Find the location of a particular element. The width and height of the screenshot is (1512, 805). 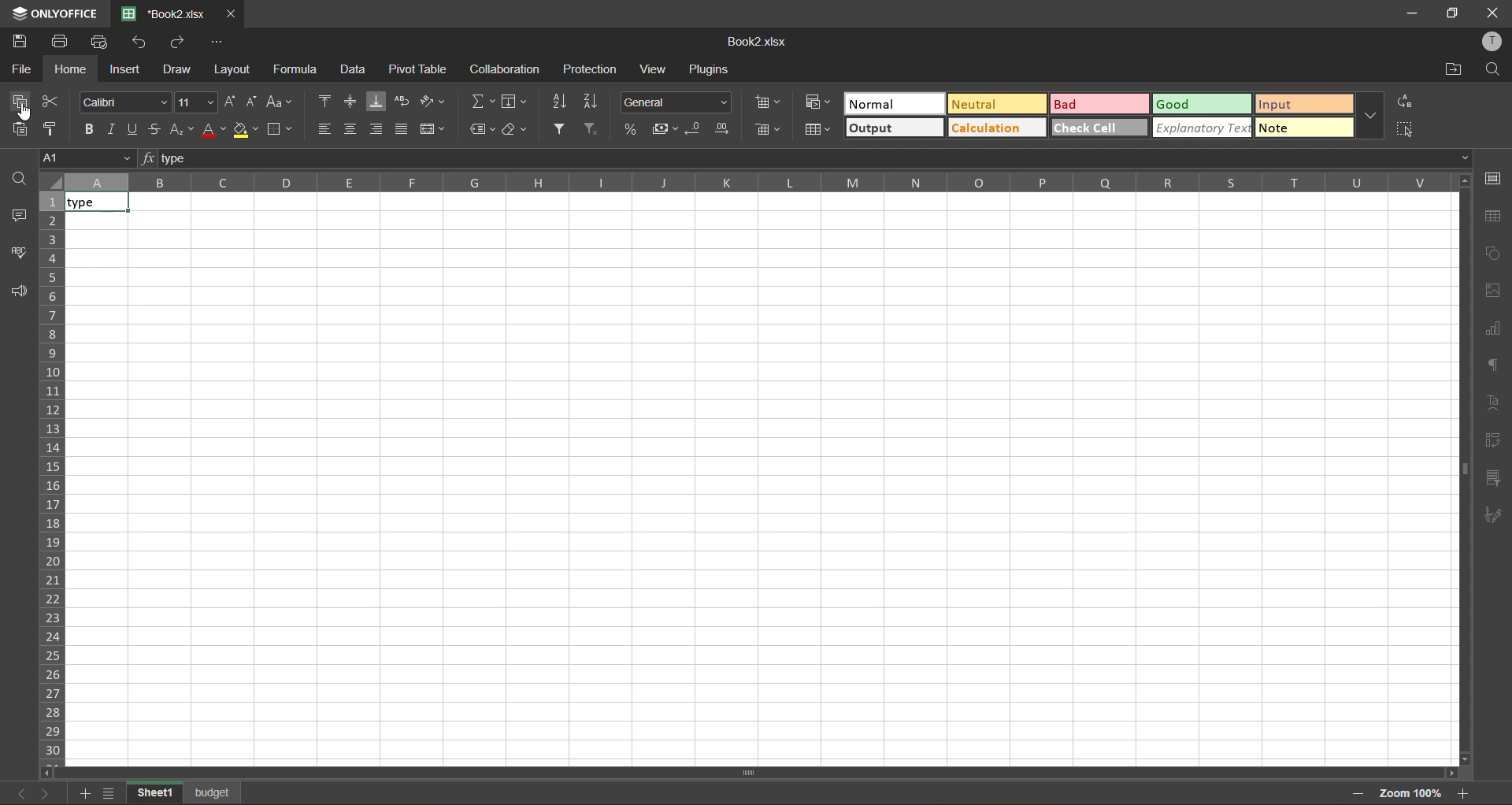

increase decimal is located at coordinates (723, 128).